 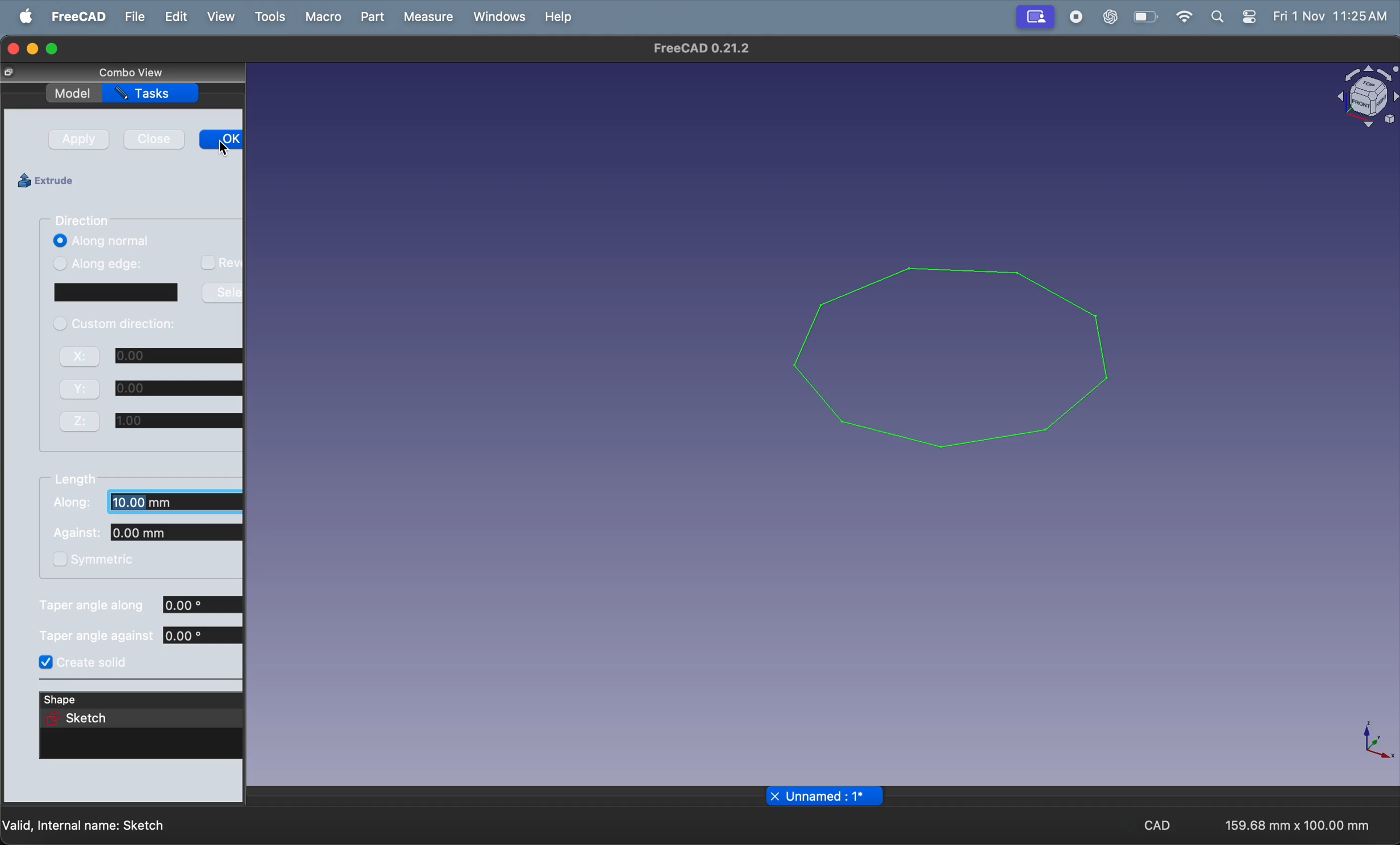 What do you see at coordinates (224, 149) in the screenshot?
I see `cursor` at bounding box center [224, 149].